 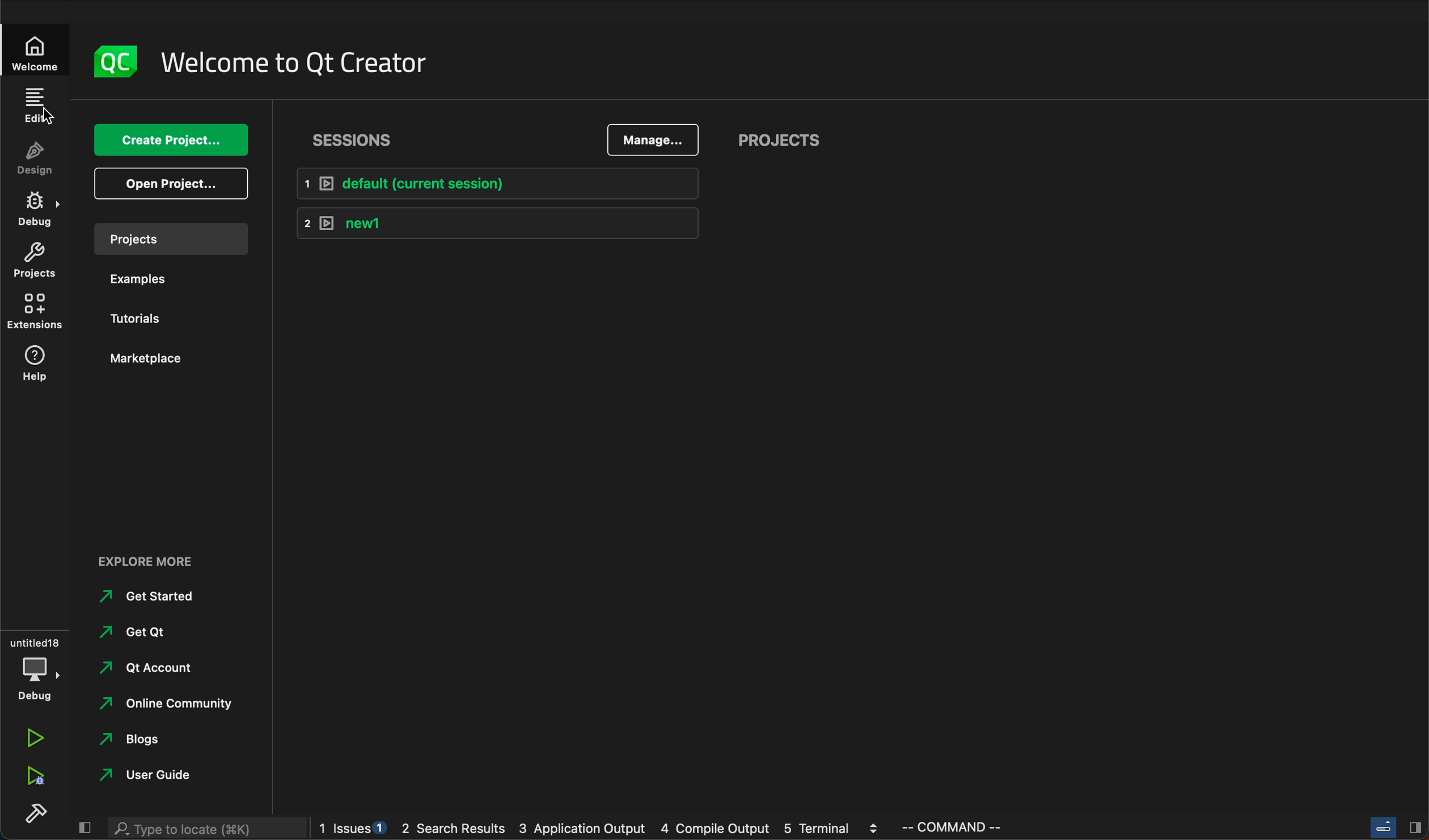 I want to click on welcome, so click(x=40, y=49).